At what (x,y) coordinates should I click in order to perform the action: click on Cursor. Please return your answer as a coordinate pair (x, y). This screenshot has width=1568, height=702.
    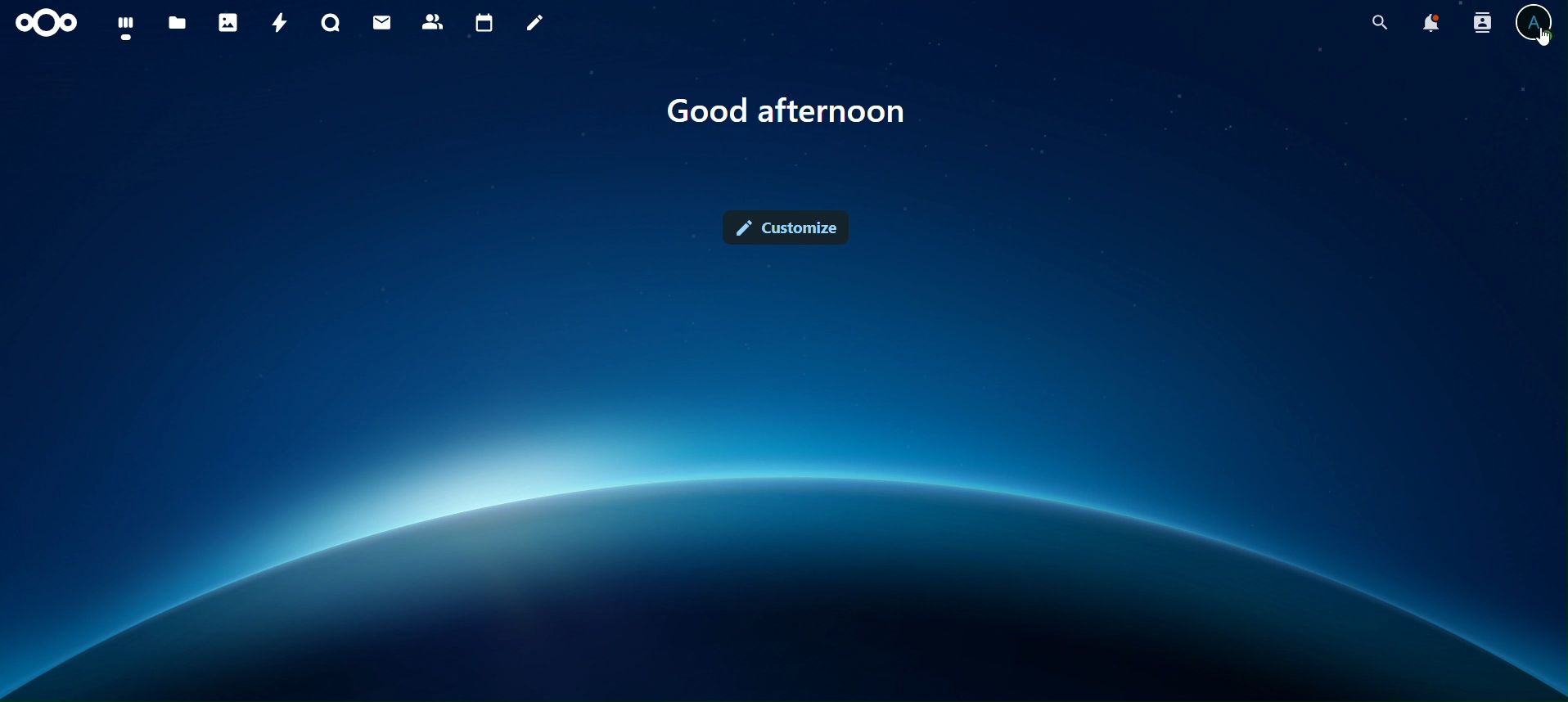
    Looking at the image, I should click on (1543, 39).